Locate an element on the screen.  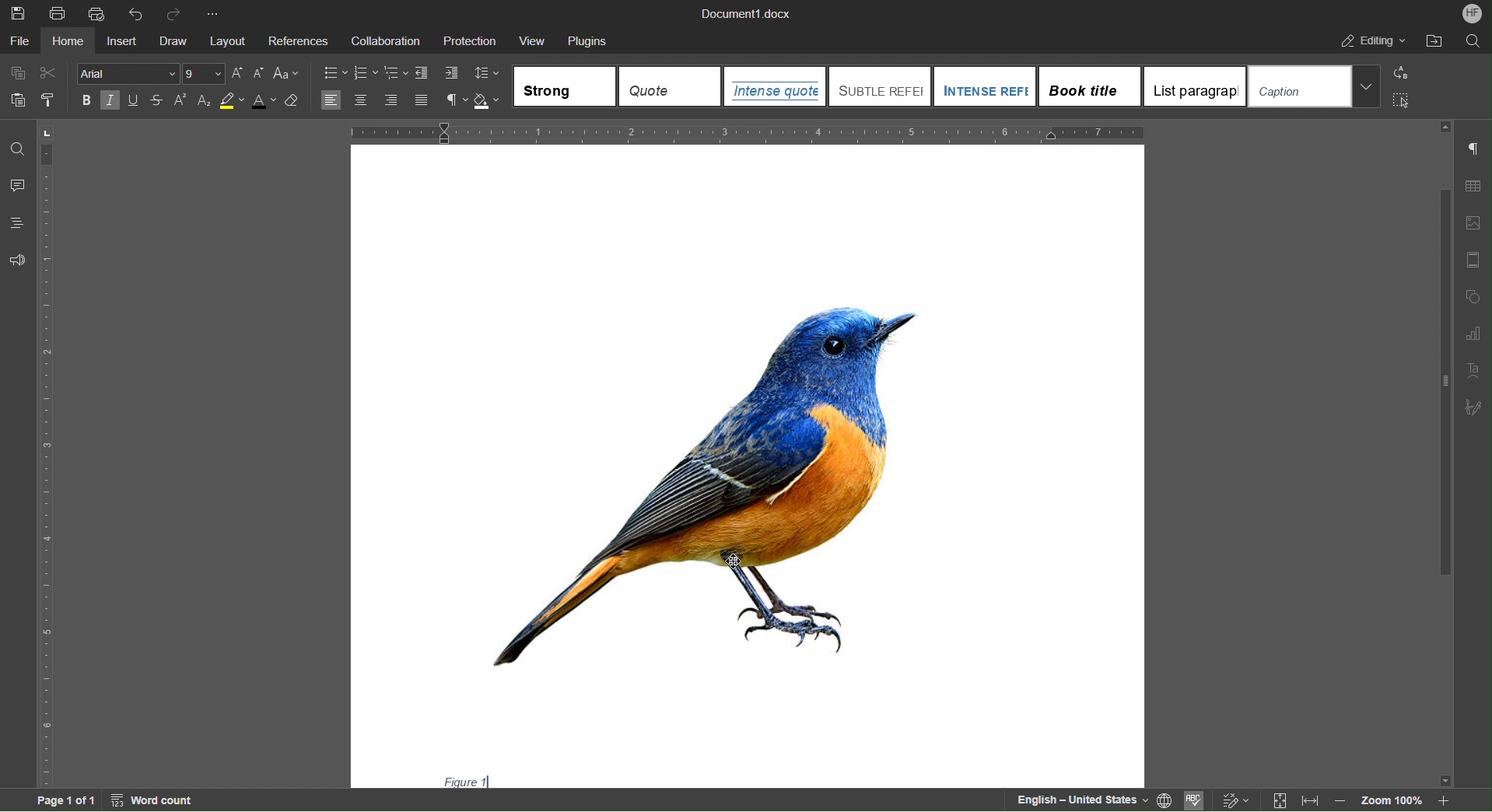
Collaboration is located at coordinates (385, 43).